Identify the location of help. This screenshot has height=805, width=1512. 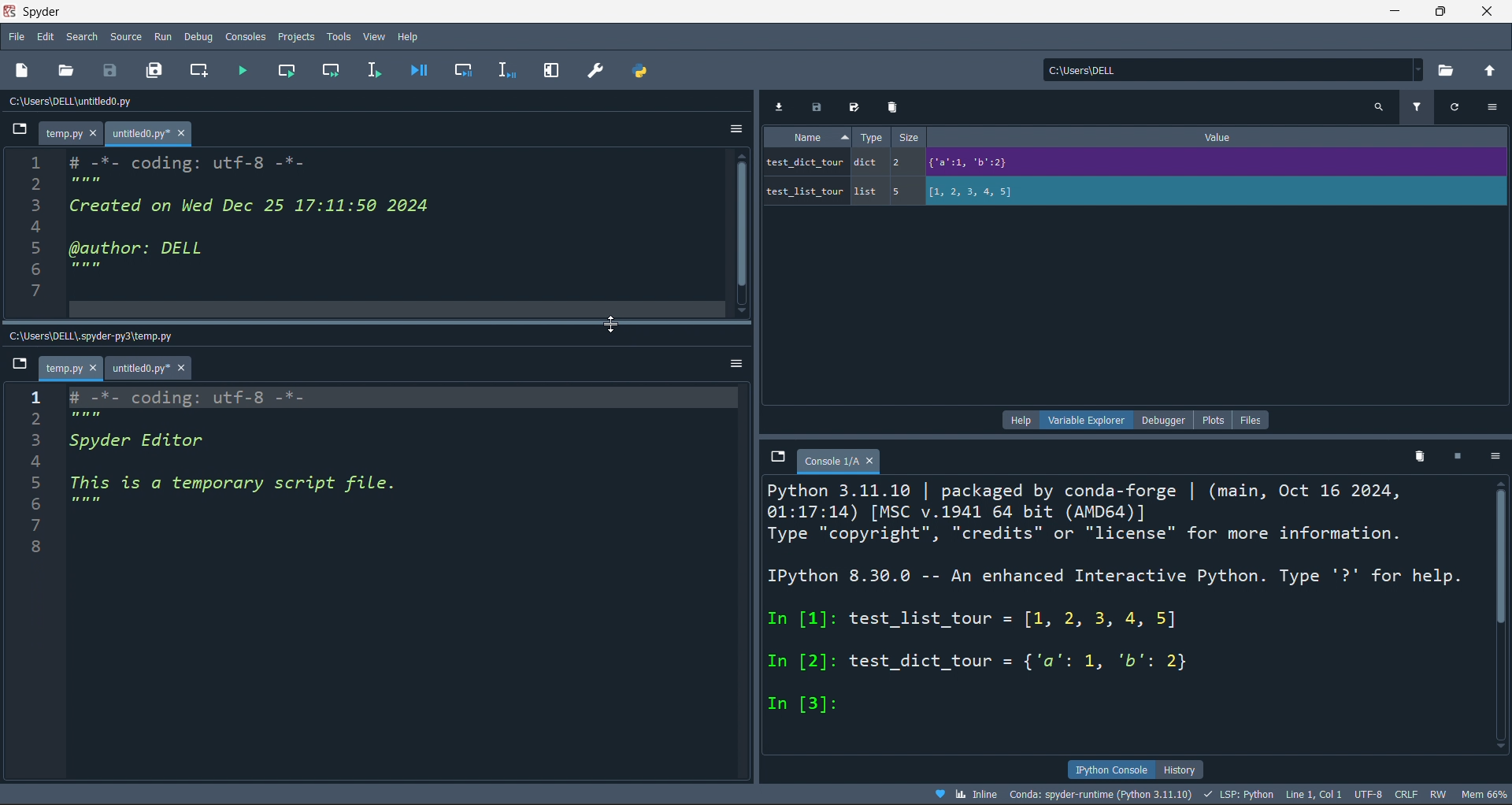
(1015, 421).